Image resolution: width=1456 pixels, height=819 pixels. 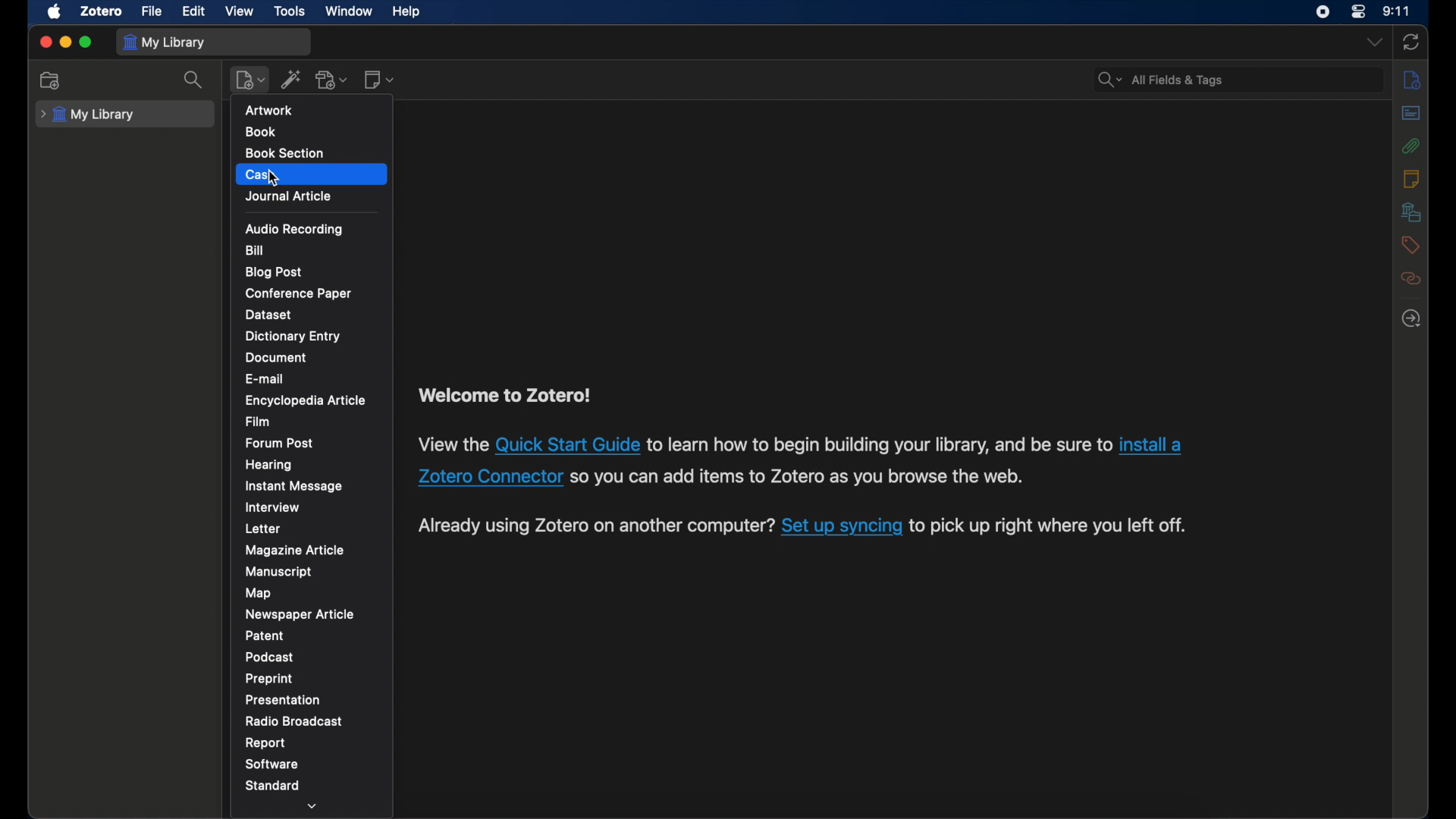 What do you see at coordinates (297, 293) in the screenshot?
I see `conference paper` at bounding box center [297, 293].